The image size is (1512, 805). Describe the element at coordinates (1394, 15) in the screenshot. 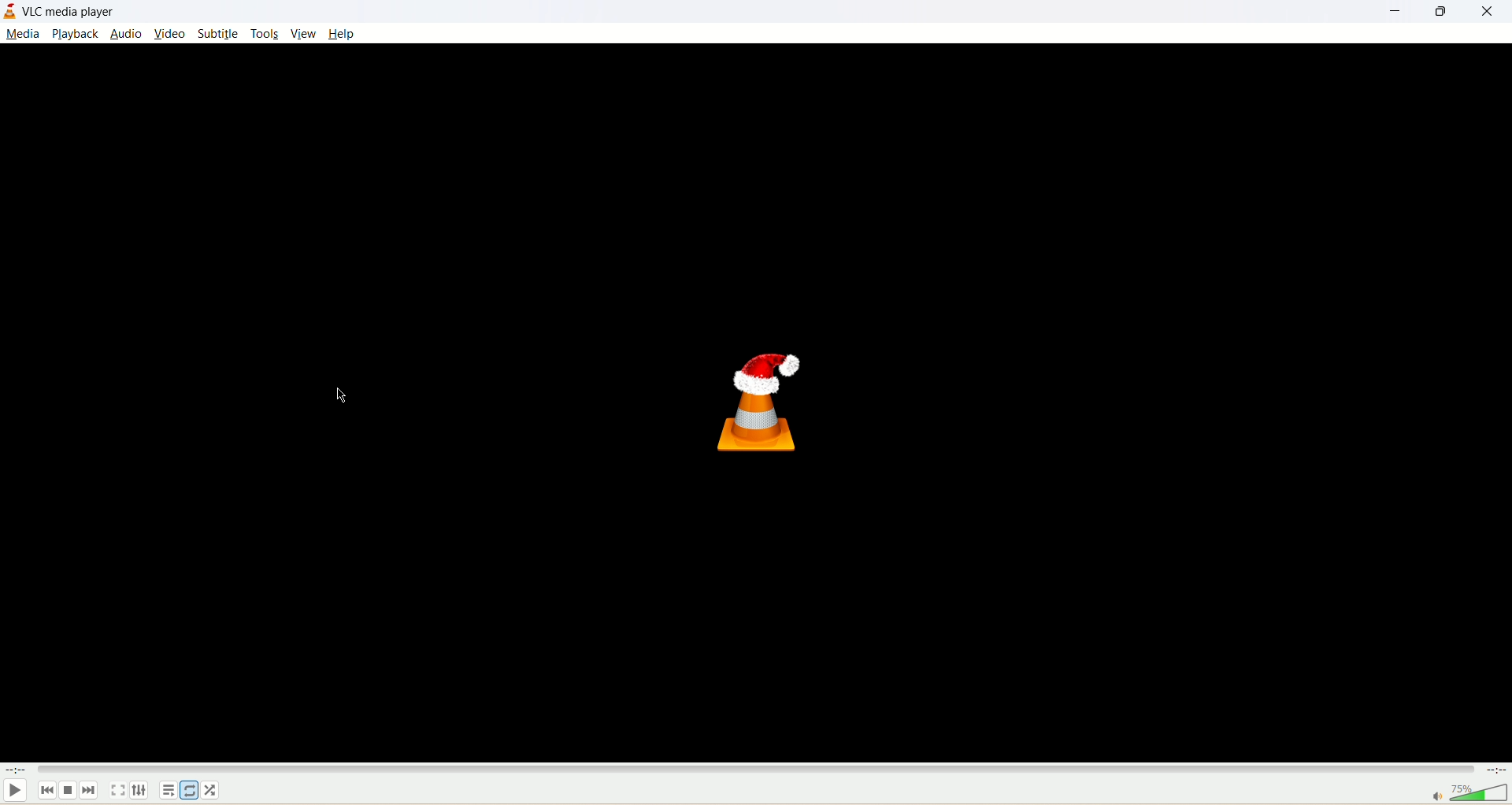

I see `minimize` at that location.